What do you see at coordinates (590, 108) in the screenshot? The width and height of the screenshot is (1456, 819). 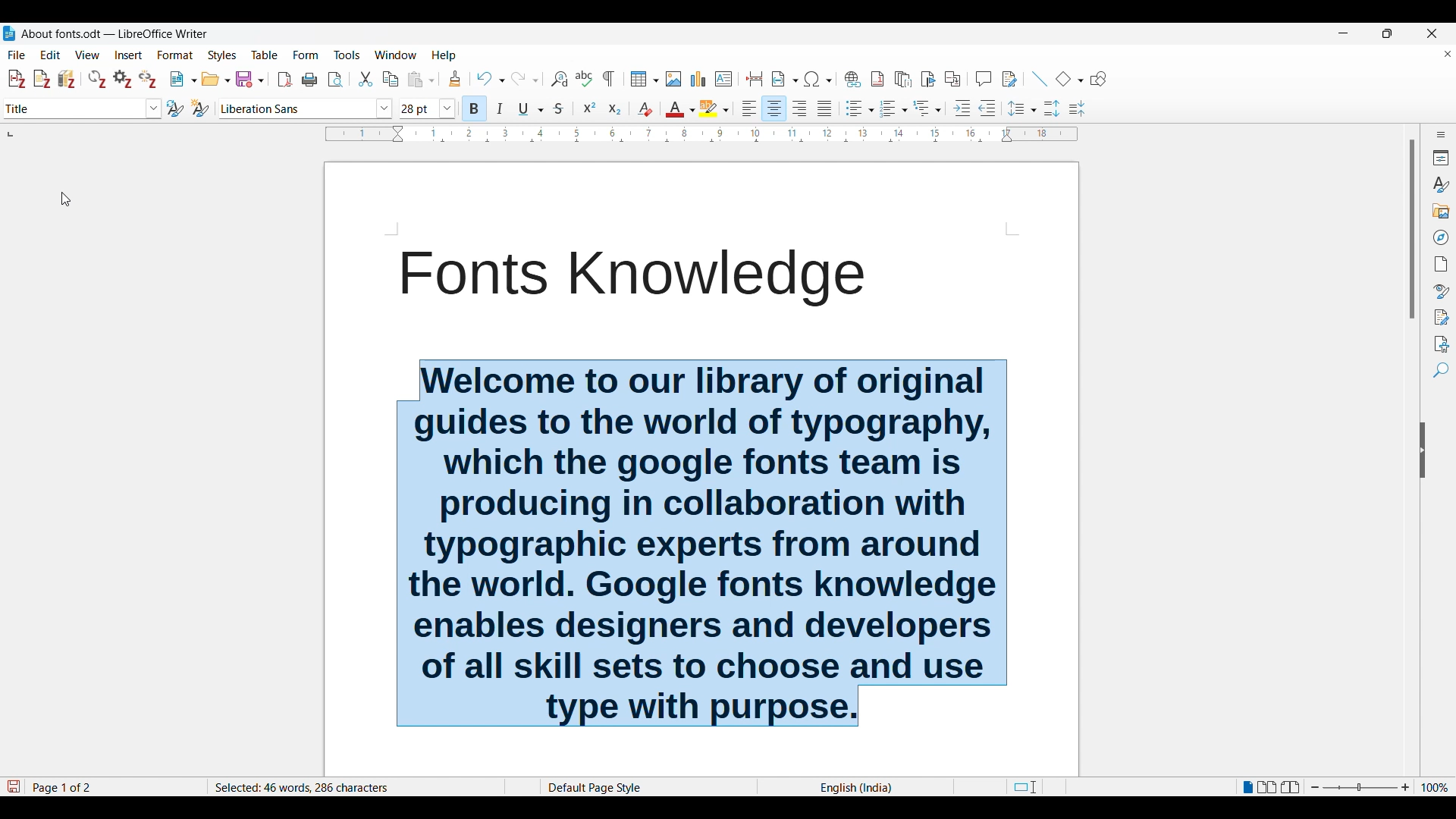 I see `Superscript` at bounding box center [590, 108].